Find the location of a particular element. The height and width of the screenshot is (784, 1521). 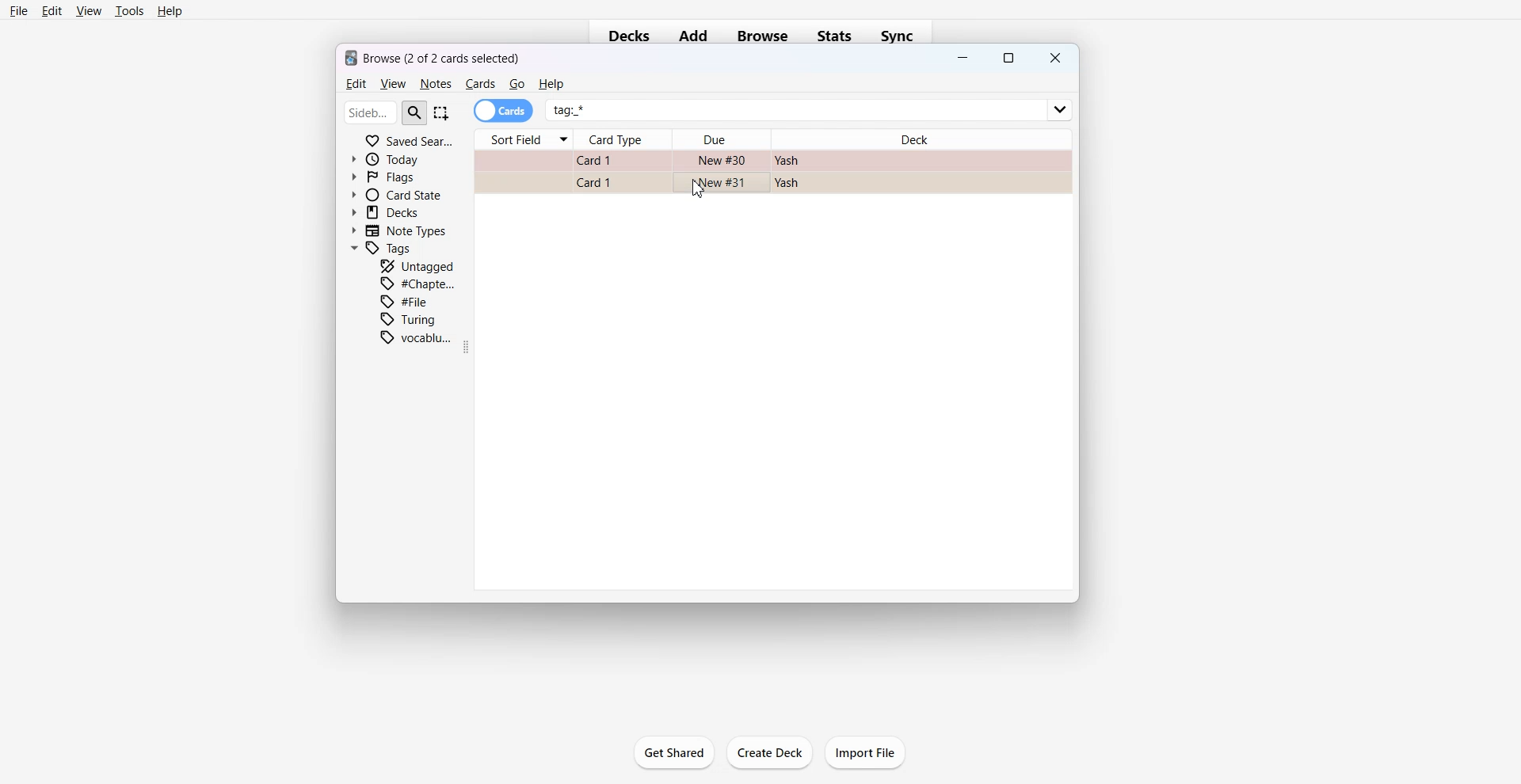

Due is located at coordinates (722, 139).